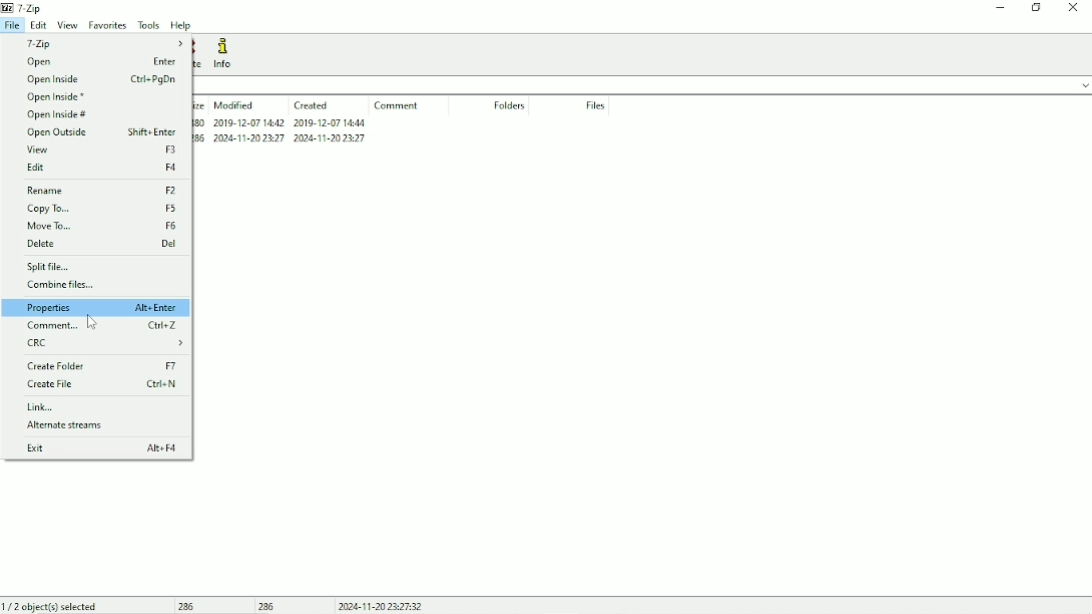 This screenshot has height=614, width=1092. Describe the element at coordinates (226, 53) in the screenshot. I see `Info` at that location.